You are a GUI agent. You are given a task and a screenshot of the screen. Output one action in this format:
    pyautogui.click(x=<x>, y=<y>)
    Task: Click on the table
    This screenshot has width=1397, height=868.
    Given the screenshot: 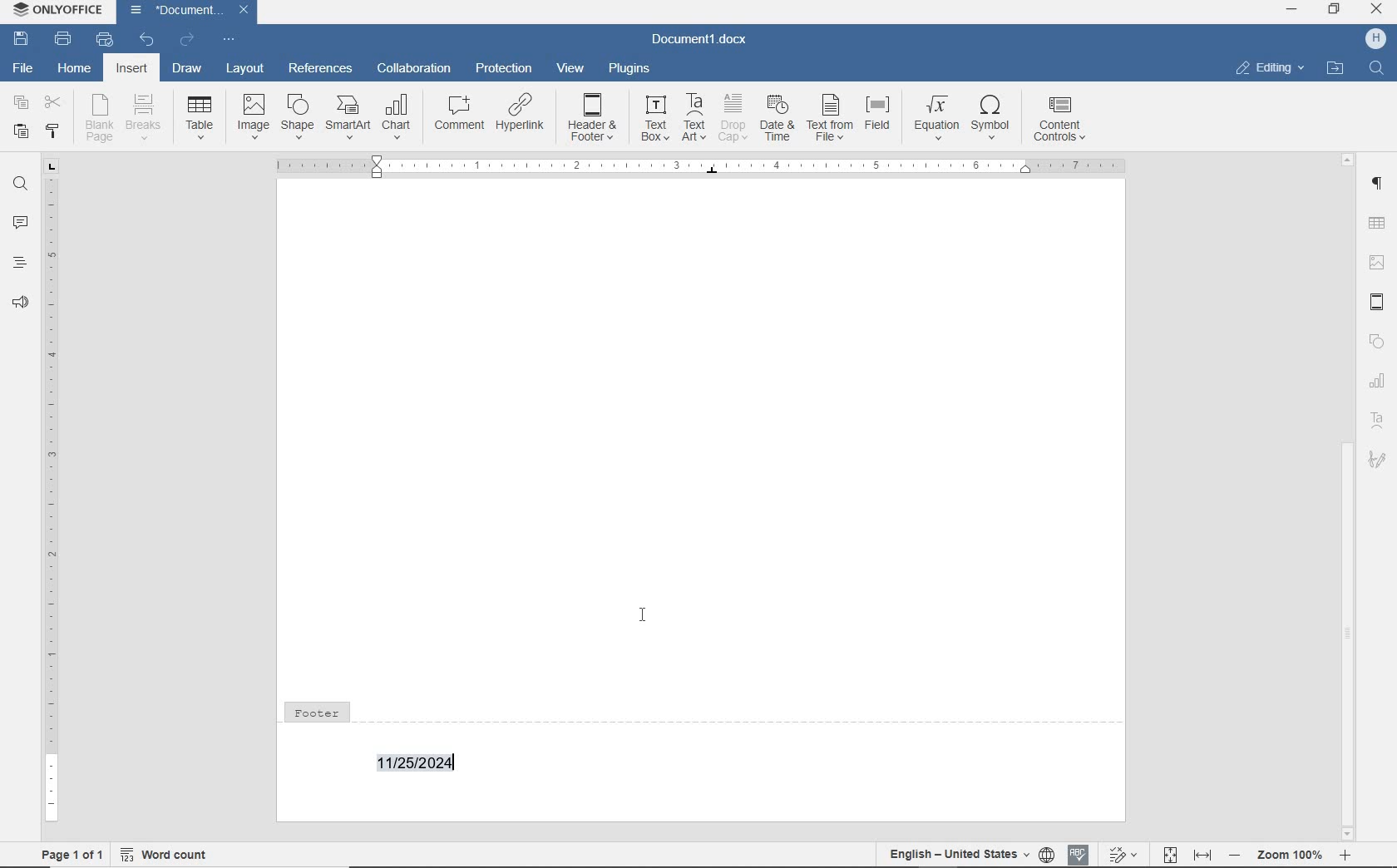 What is the action you would take?
    pyautogui.click(x=1378, y=222)
    